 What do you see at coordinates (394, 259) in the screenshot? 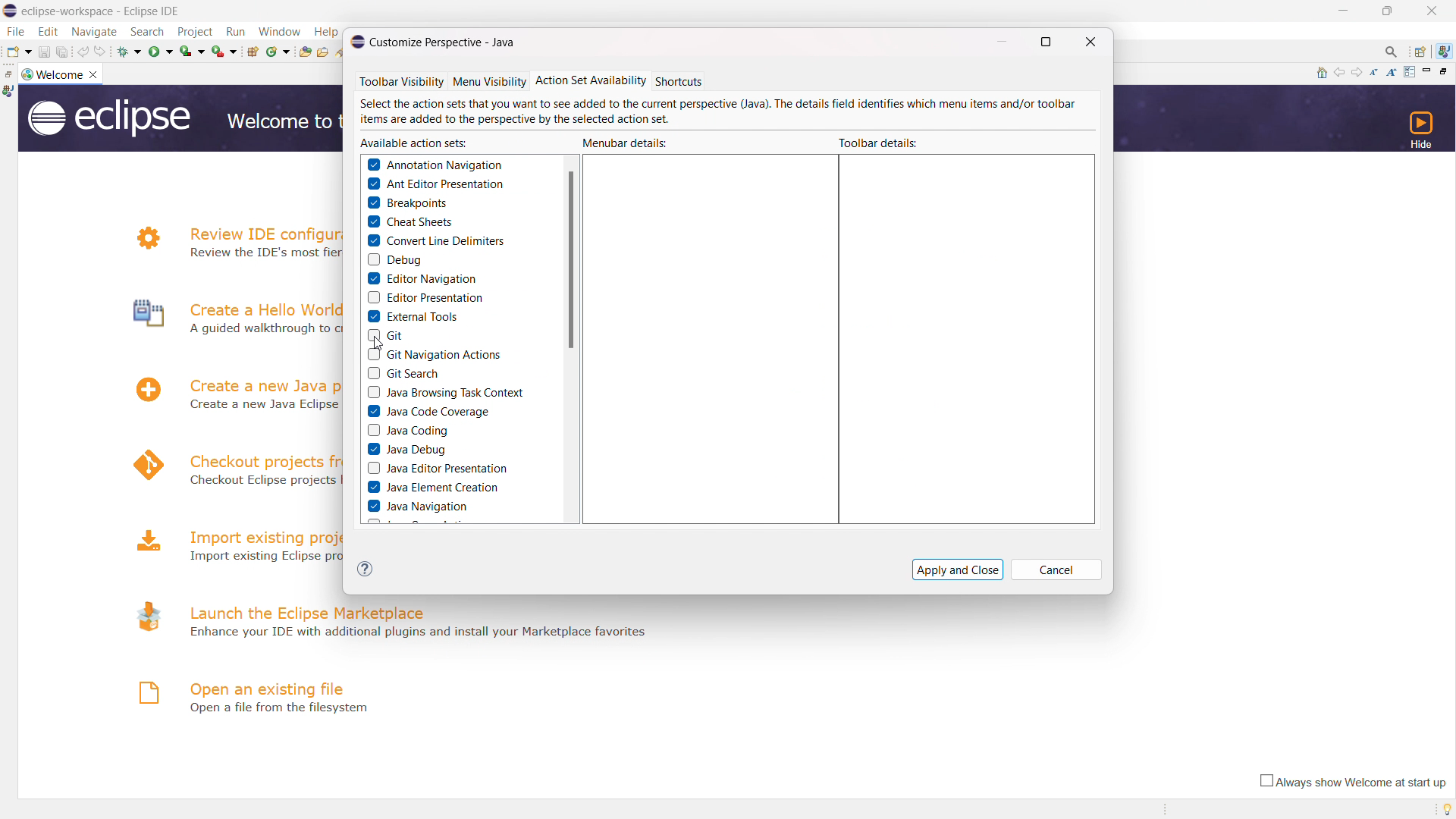
I see `debug` at bounding box center [394, 259].